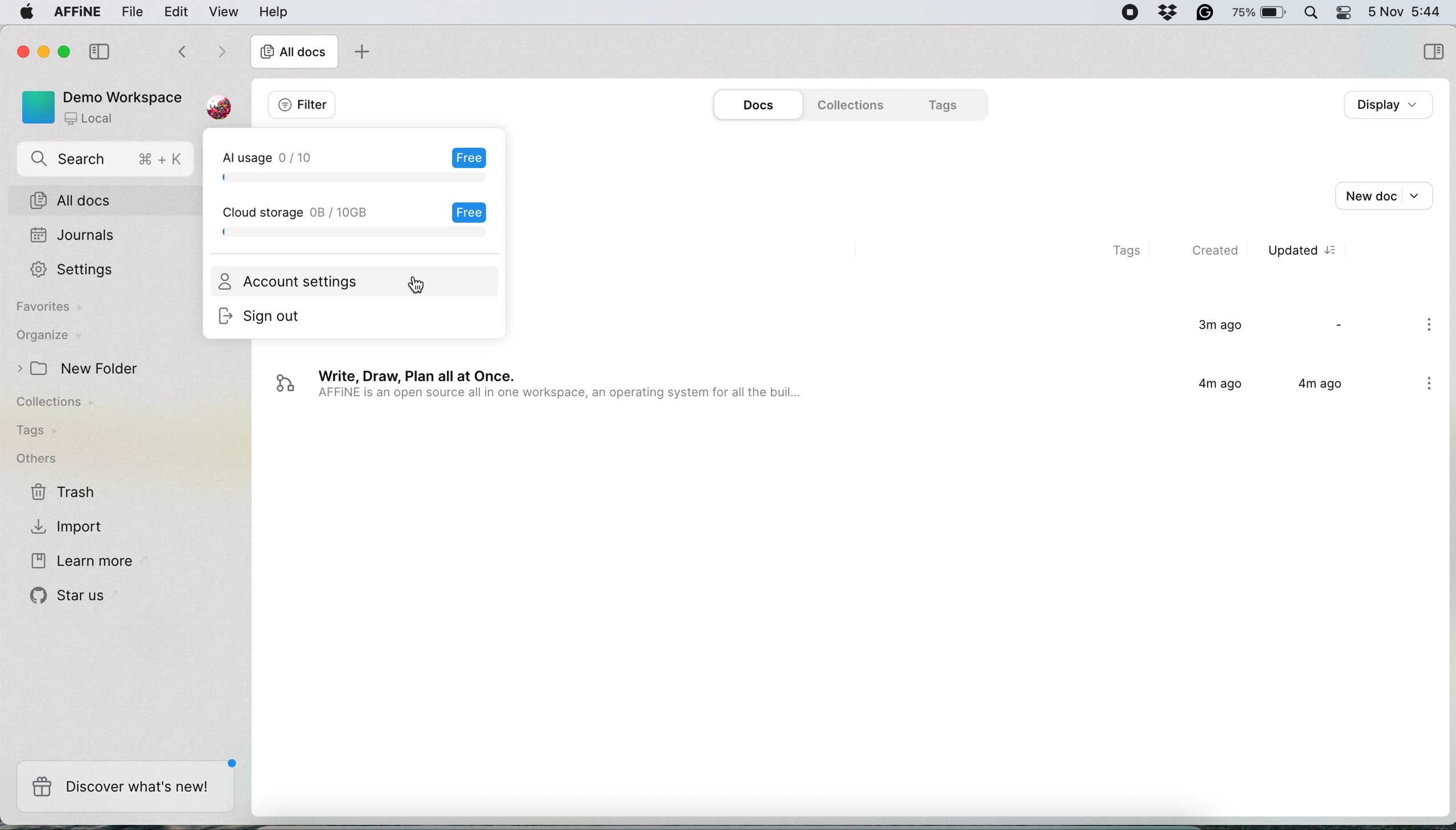 This screenshot has height=830, width=1456. I want to click on more options, so click(1431, 326).